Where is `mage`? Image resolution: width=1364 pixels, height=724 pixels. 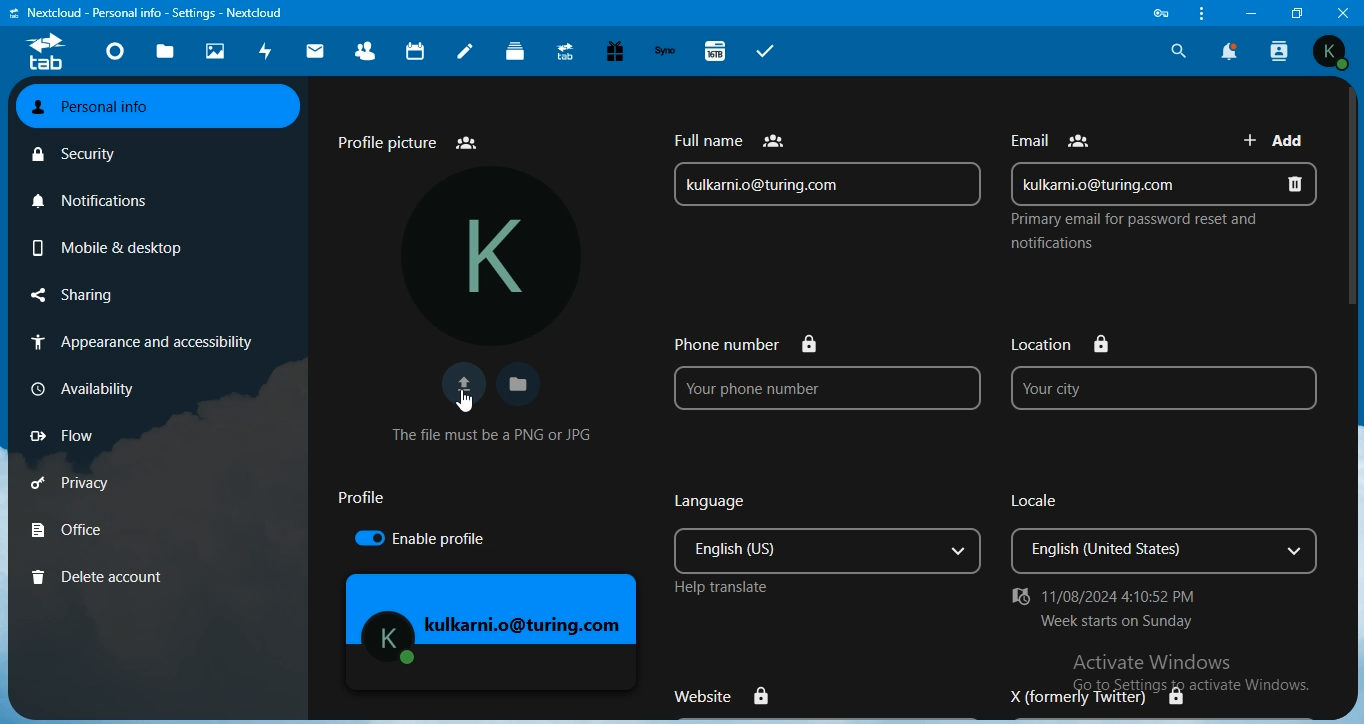
mage is located at coordinates (494, 634).